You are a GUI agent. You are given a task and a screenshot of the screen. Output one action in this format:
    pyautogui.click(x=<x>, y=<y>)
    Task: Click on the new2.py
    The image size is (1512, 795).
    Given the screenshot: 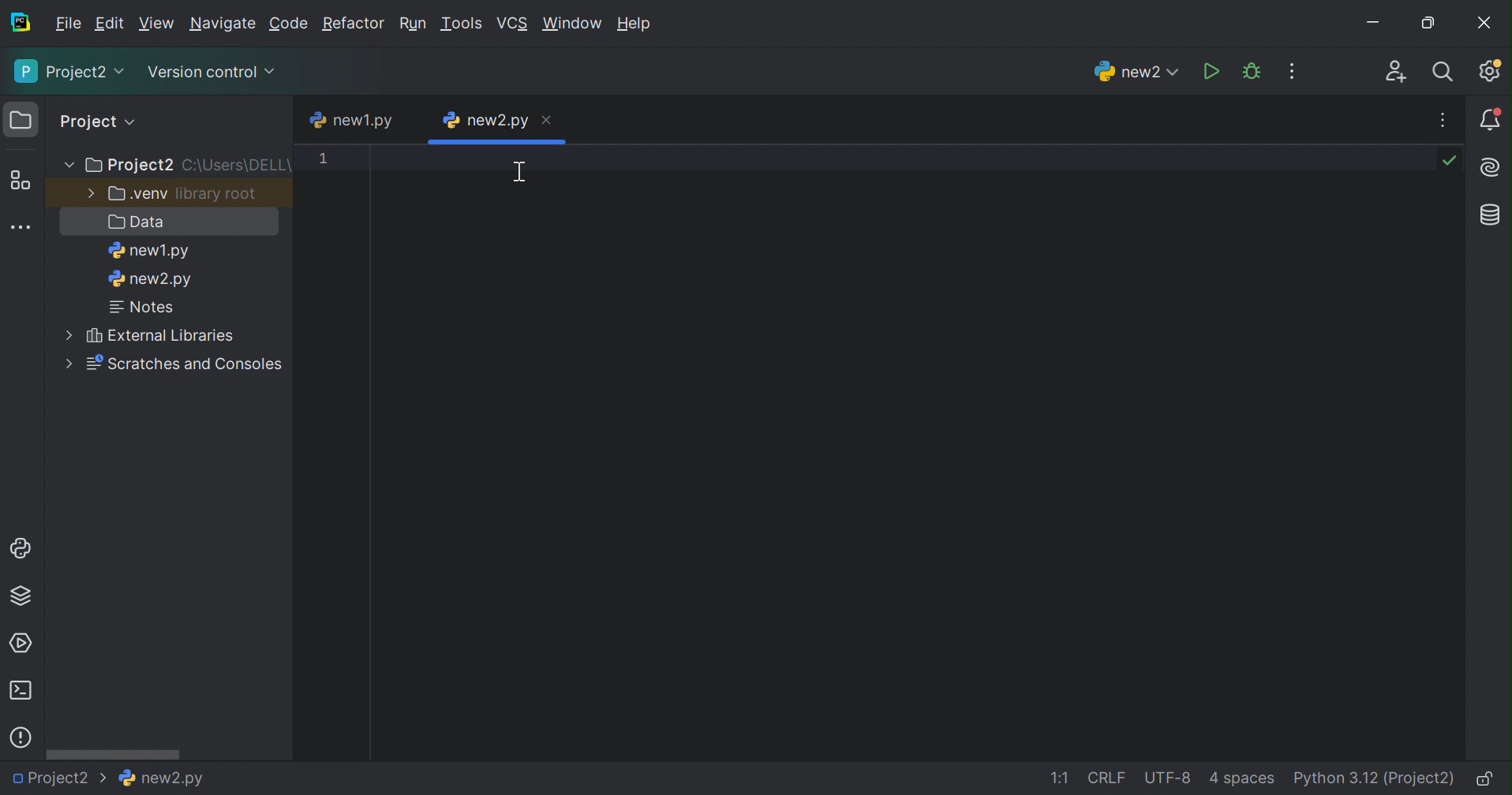 What is the action you would take?
    pyautogui.click(x=485, y=119)
    